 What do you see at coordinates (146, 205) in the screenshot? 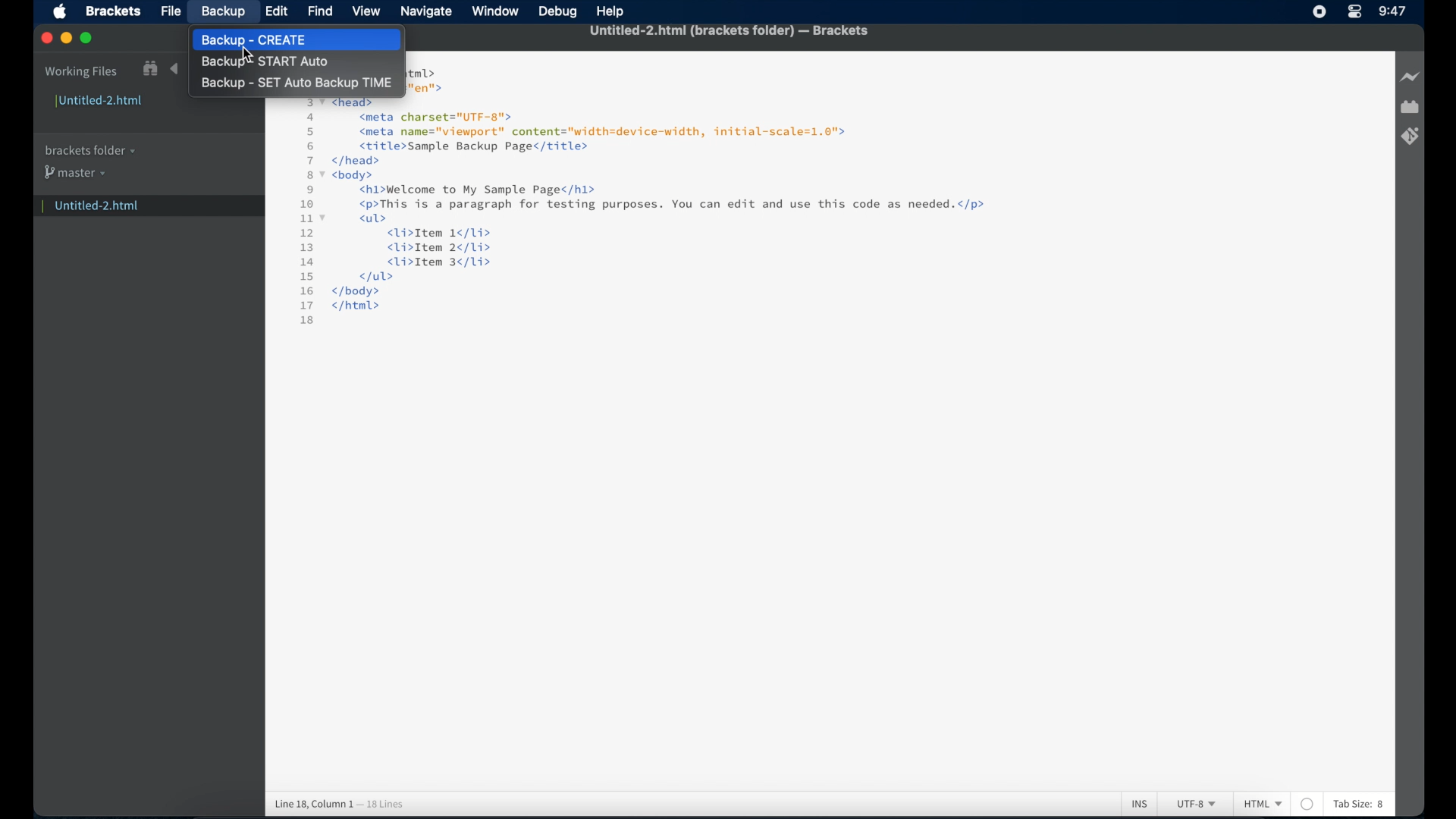
I see `untitled-2.html` at bounding box center [146, 205].